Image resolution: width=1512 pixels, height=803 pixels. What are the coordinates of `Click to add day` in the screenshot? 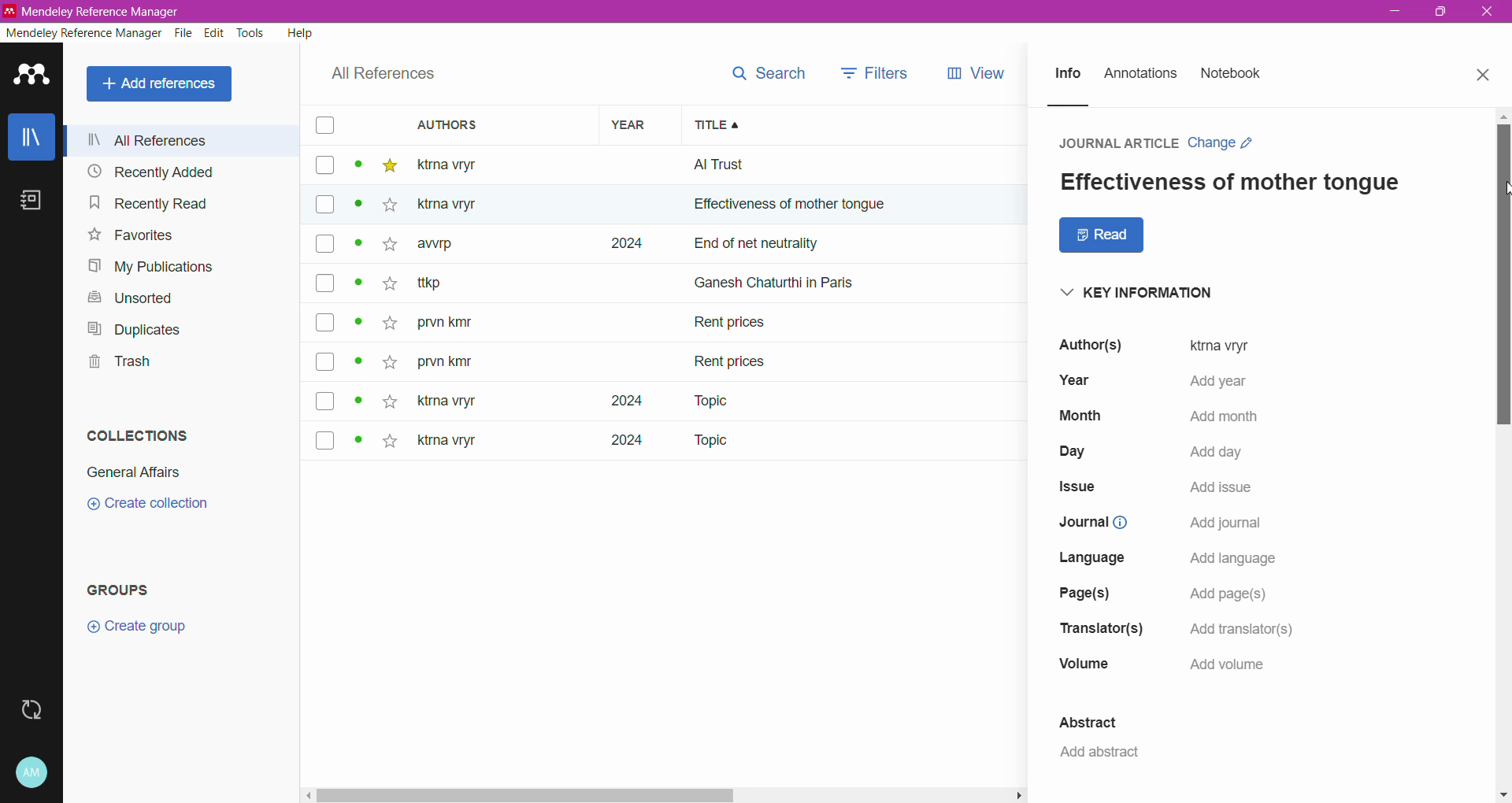 It's located at (1217, 451).